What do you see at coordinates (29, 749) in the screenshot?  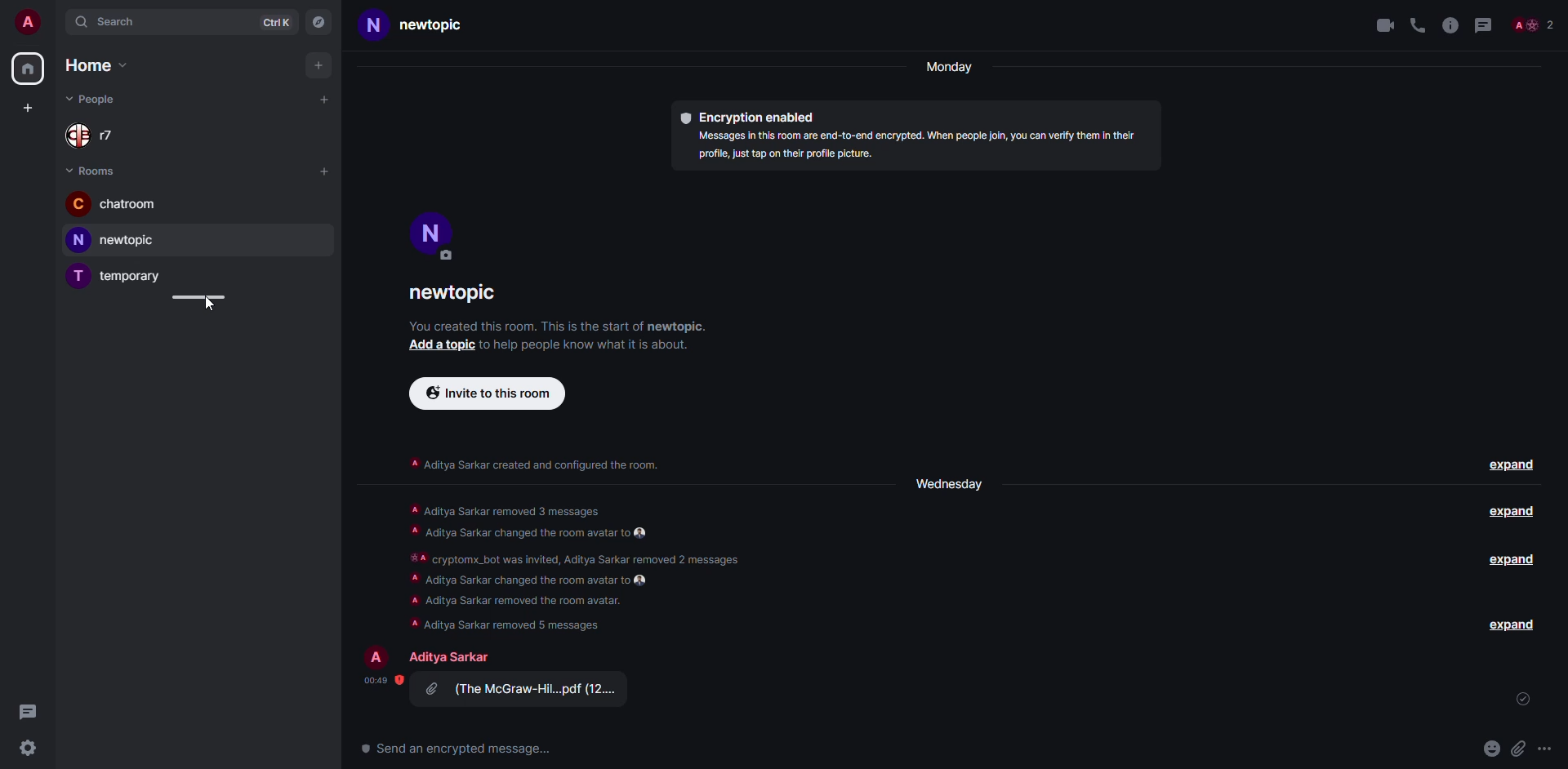 I see `settings` at bounding box center [29, 749].